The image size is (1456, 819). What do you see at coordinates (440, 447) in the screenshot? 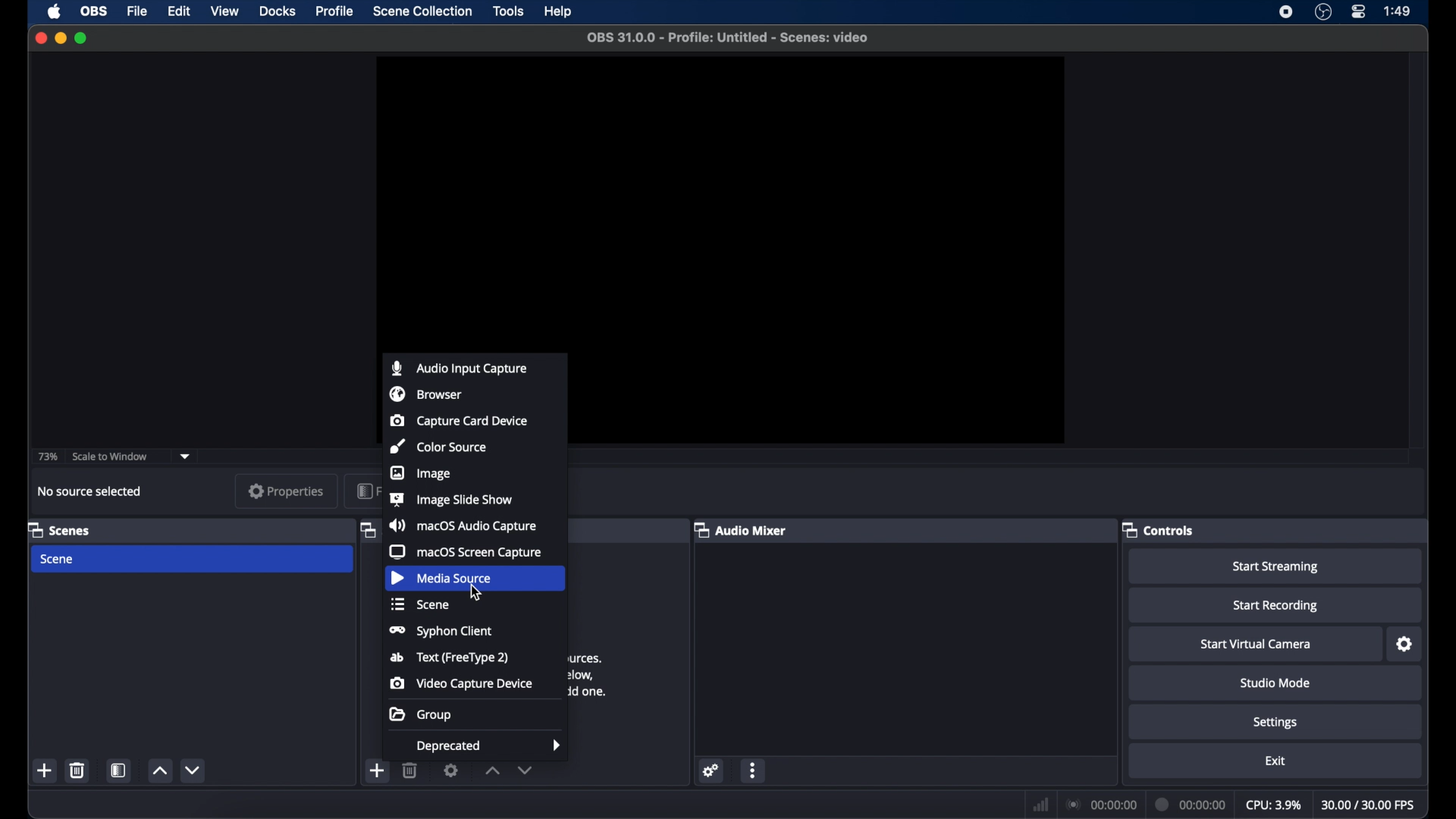
I see `color source` at bounding box center [440, 447].